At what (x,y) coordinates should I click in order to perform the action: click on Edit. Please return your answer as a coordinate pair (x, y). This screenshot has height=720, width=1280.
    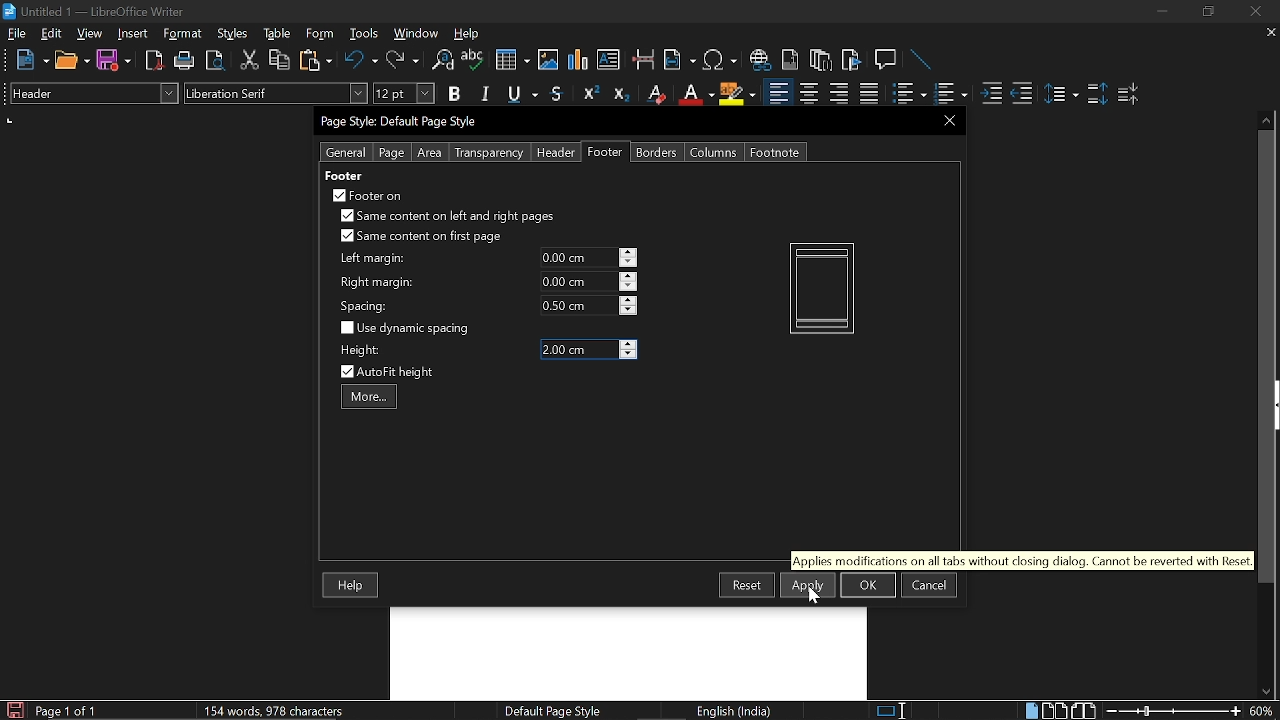
    Looking at the image, I should click on (52, 33).